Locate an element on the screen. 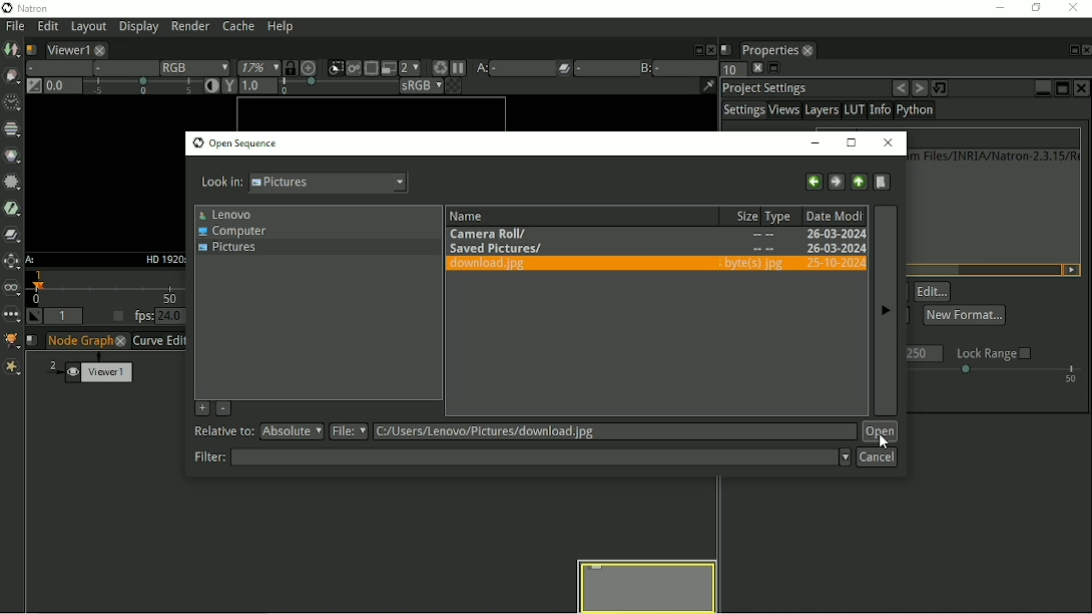 The height and width of the screenshot is (614, 1092). Cancel is located at coordinates (877, 458).